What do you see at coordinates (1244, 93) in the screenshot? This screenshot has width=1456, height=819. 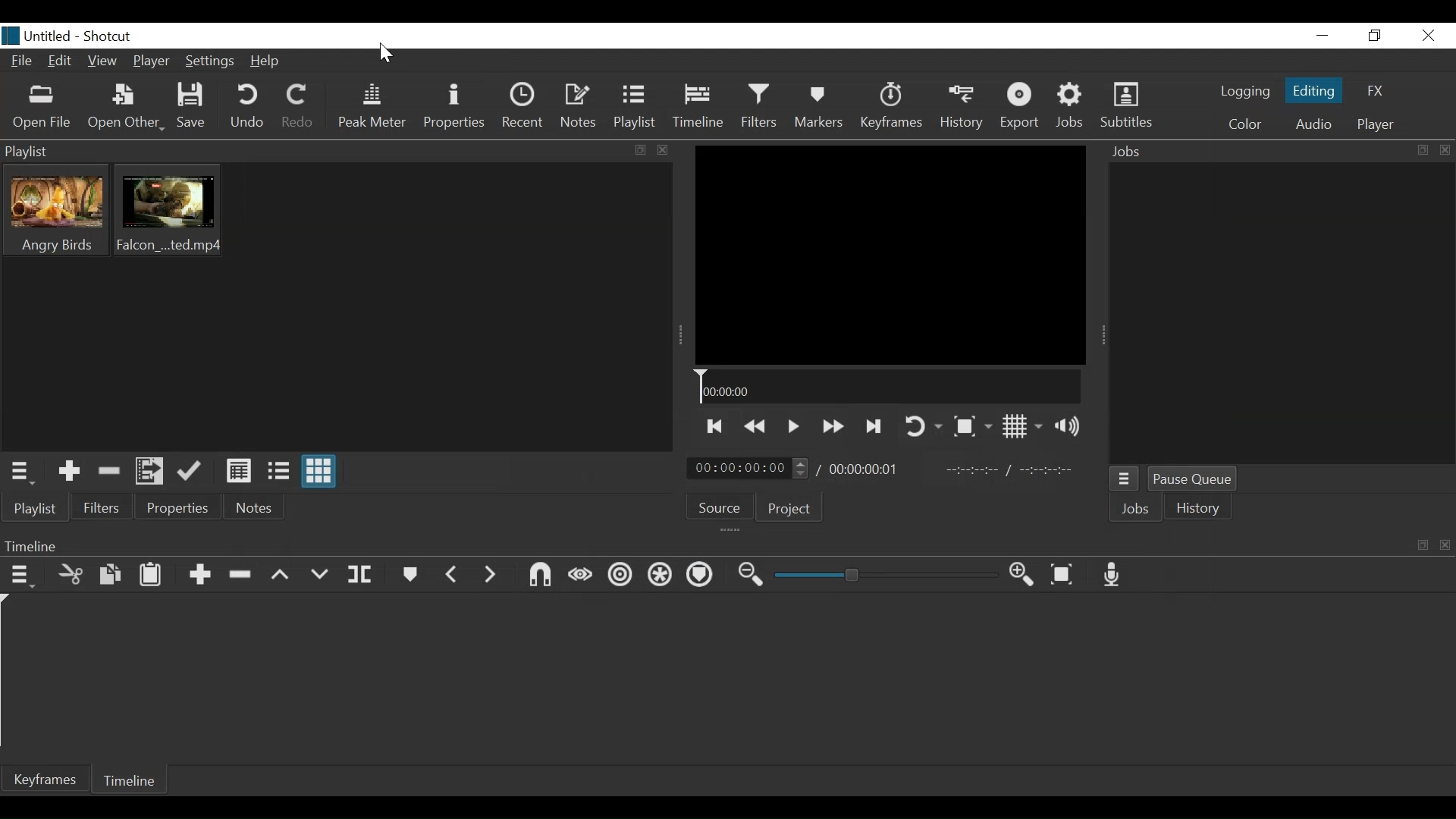 I see `logging` at bounding box center [1244, 93].